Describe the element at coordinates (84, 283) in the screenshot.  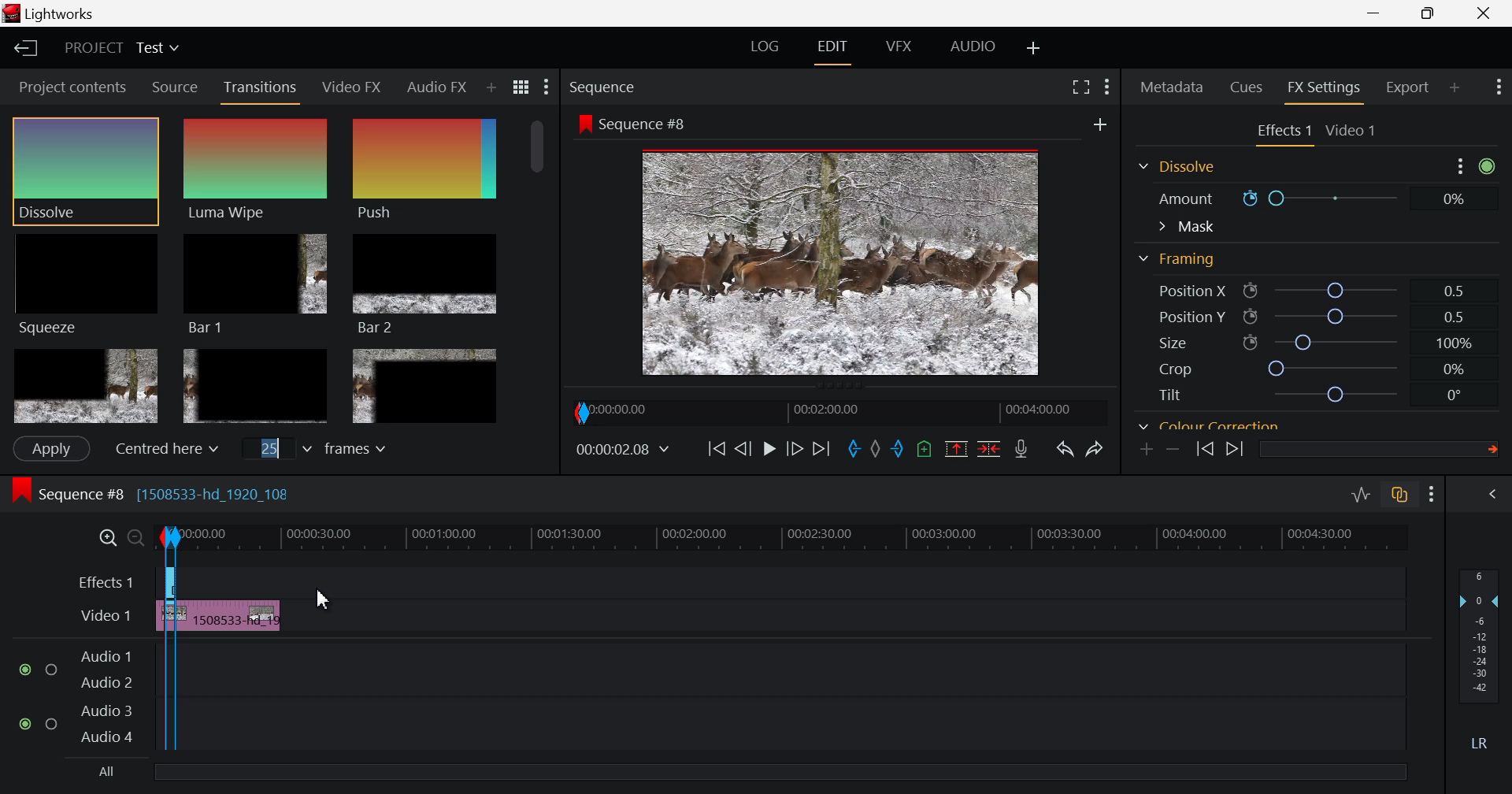
I see `Squeeze` at that location.